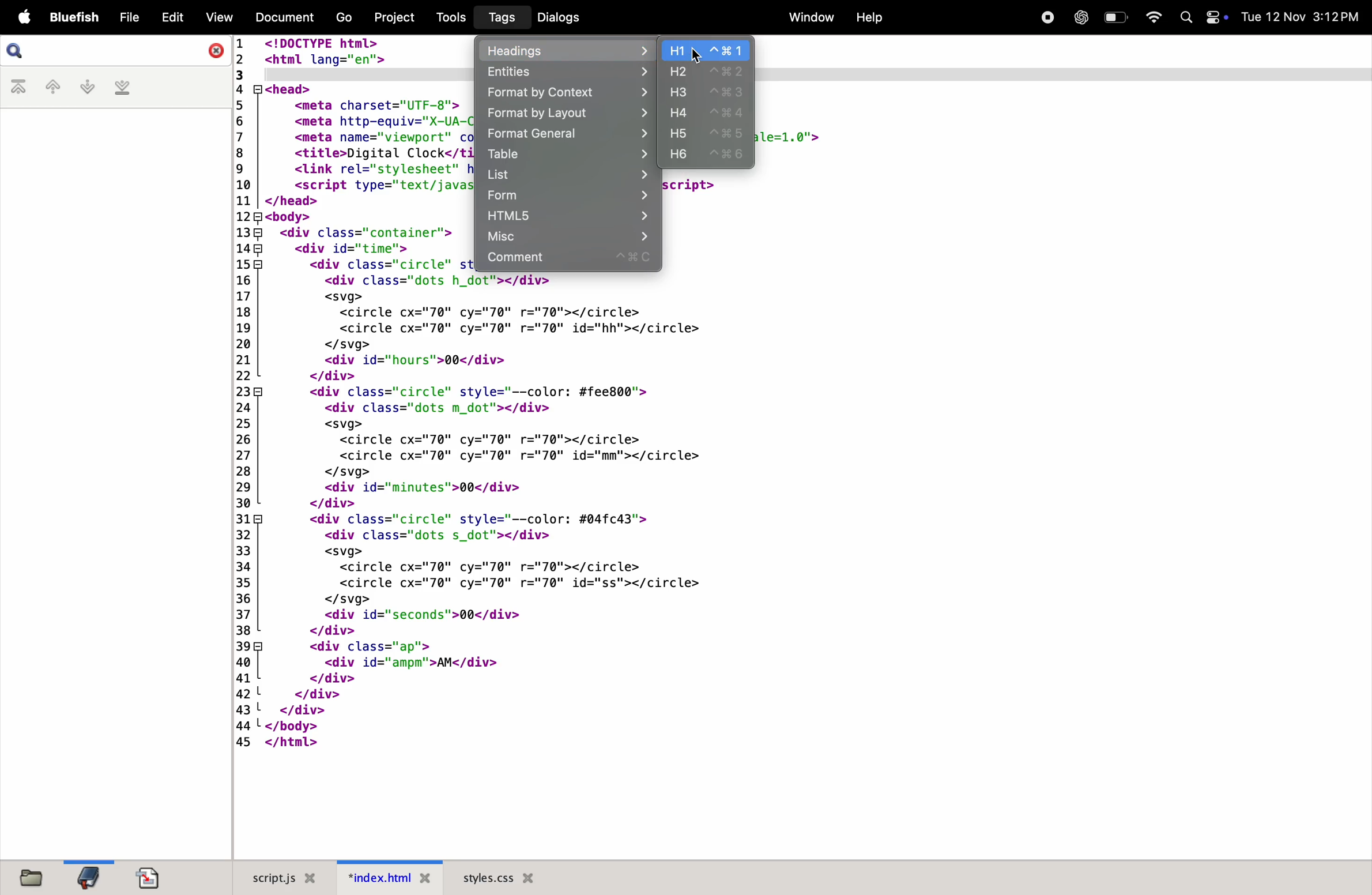 Image resolution: width=1372 pixels, height=895 pixels. Describe the element at coordinates (353, 156) in the screenshot. I see `code using html, css, javascript to build a digital clock. The code contains <head> that has a <title> <link> and <script type>. <Body> contains different <id> and <class>` at that location.